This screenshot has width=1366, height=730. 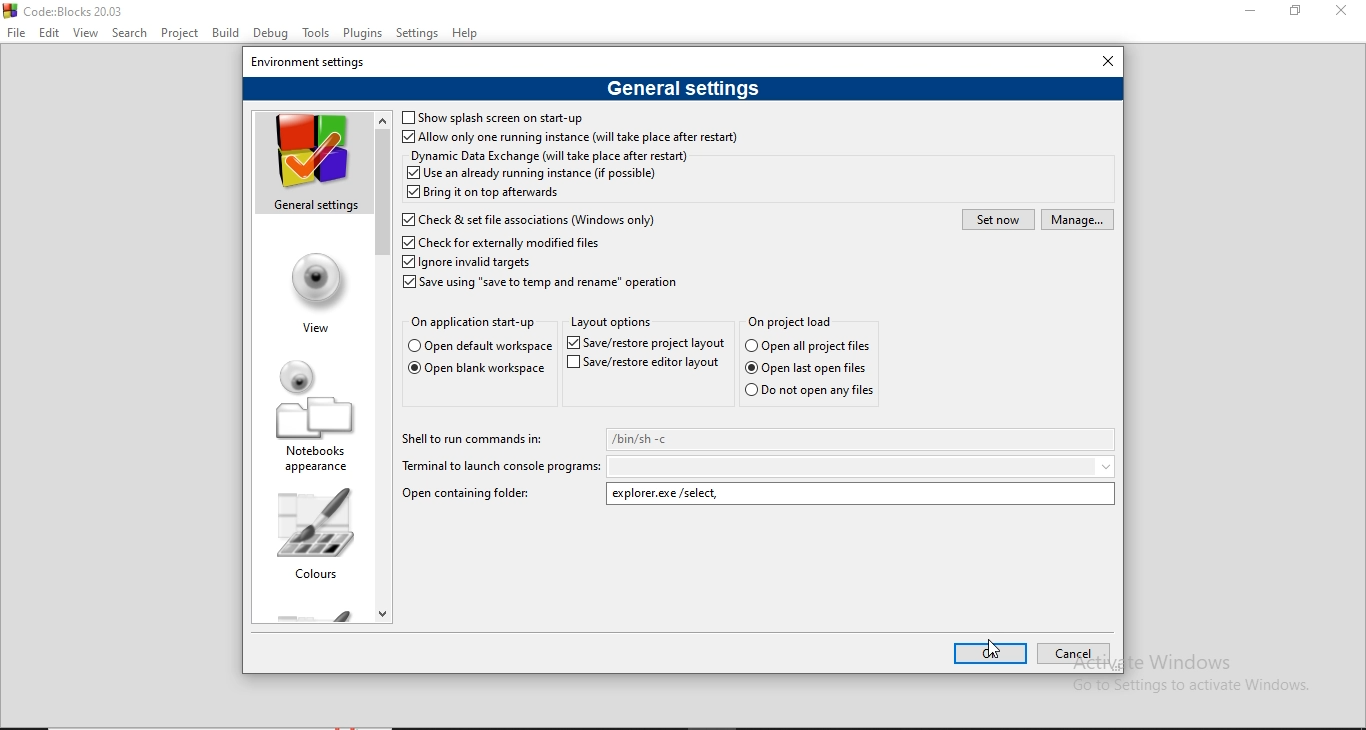 I want to click on manage, so click(x=1076, y=219).